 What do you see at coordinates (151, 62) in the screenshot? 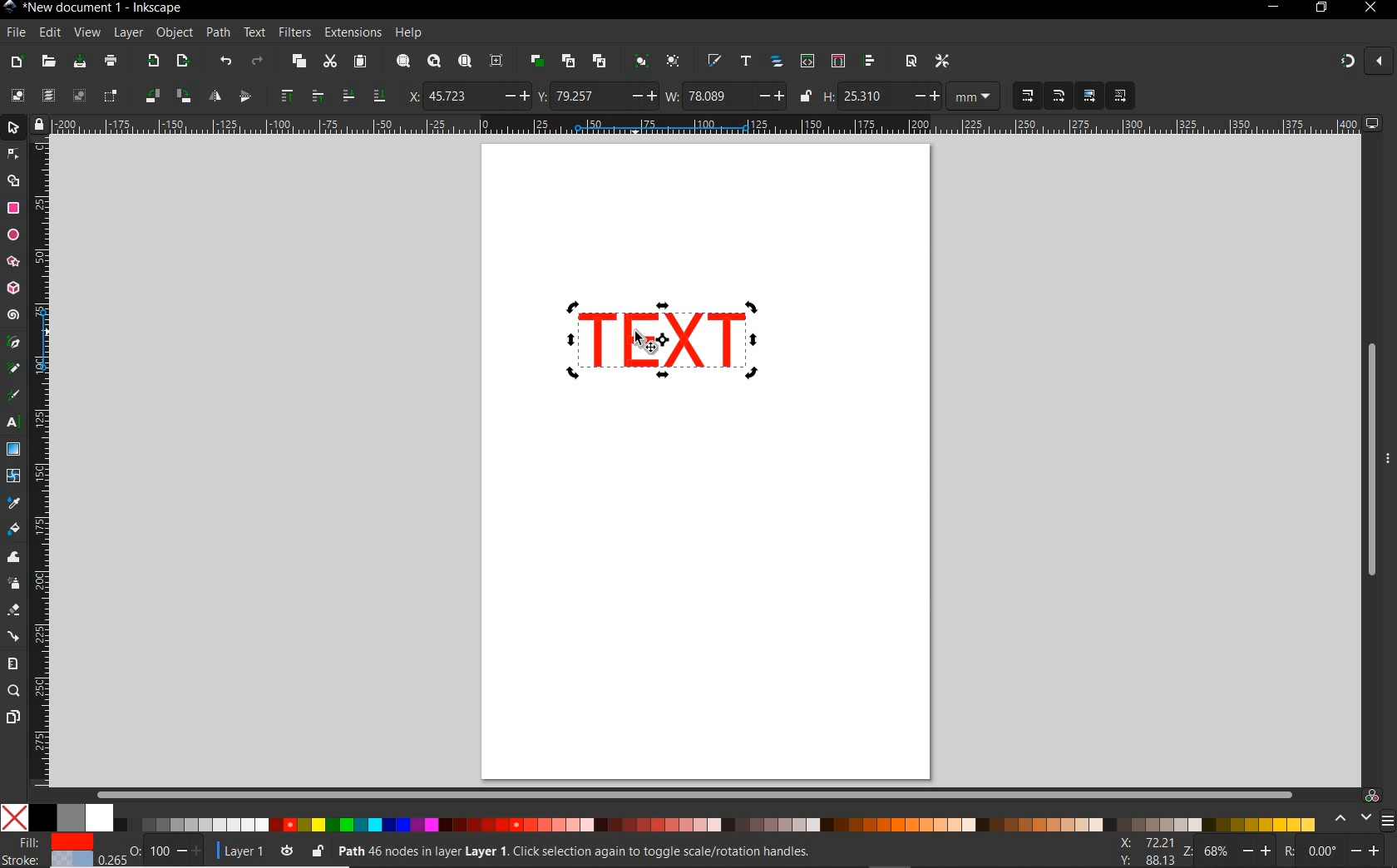
I see `IMPORT` at bounding box center [151, 62].